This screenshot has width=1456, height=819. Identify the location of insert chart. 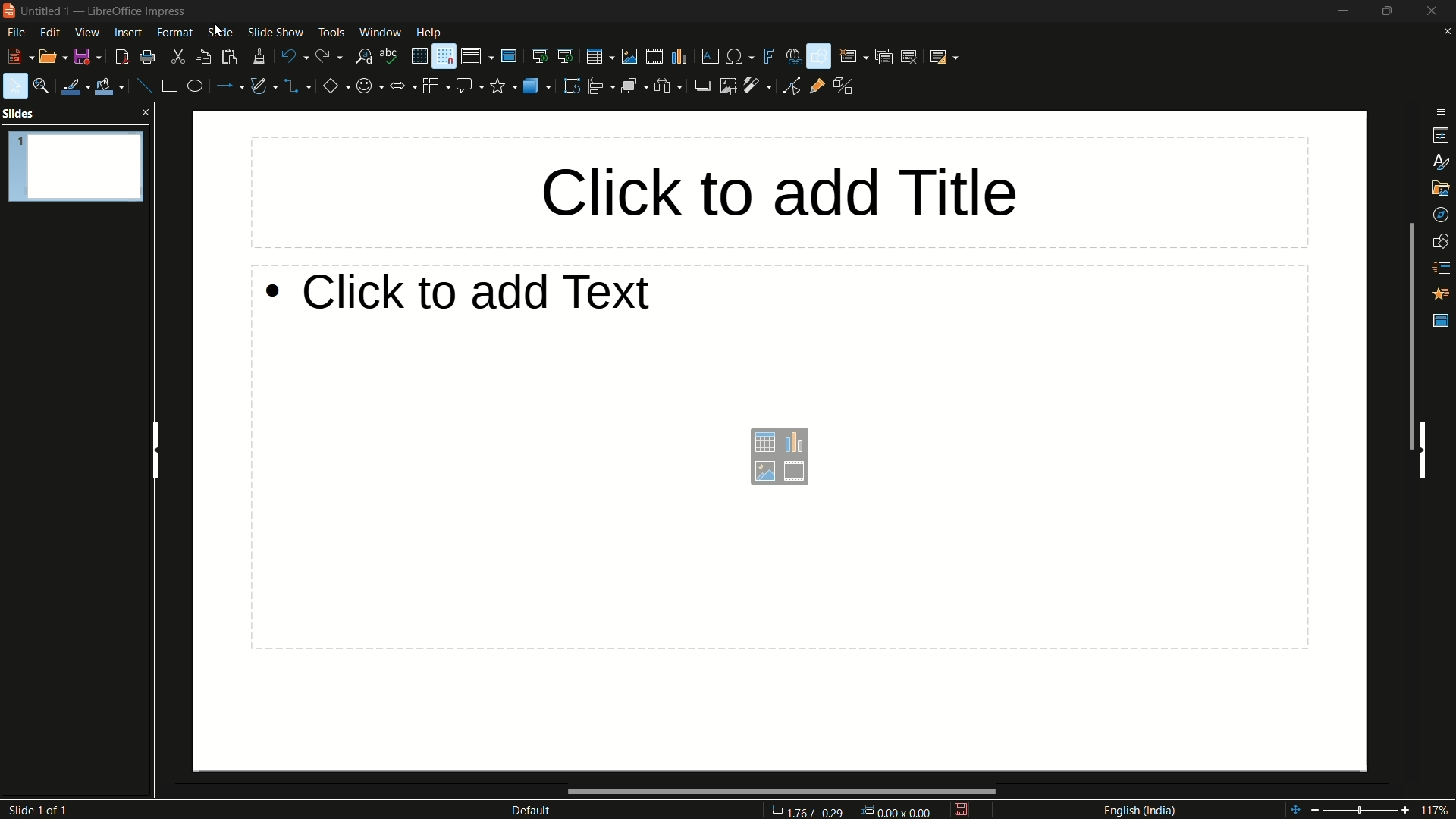
(680, 56).